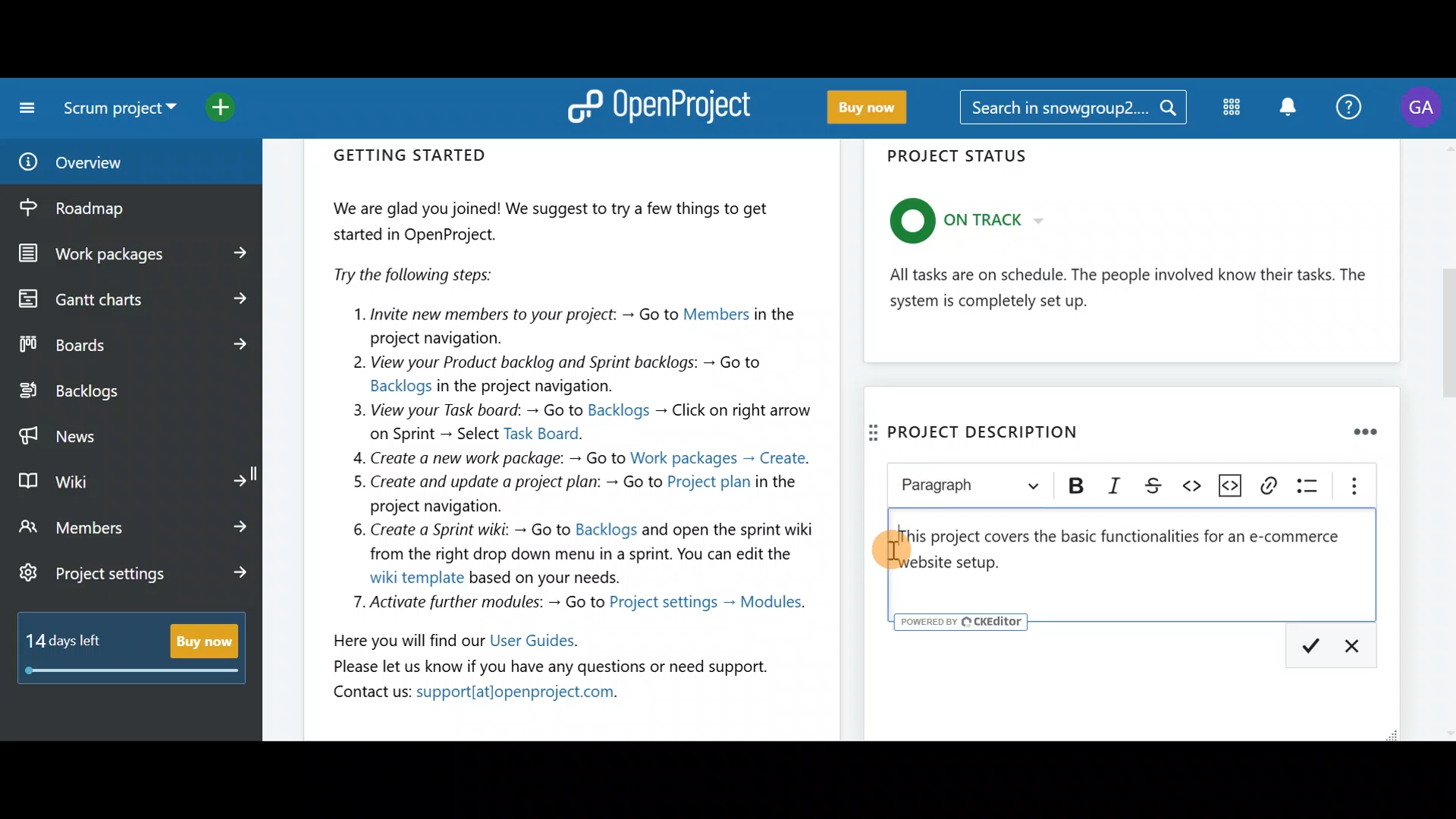 This screenshot has height=819, width=1456. What do you see at coordinates (131, 478) in the screenshot?
I see `Wiki` at bounding box center [131, 478].